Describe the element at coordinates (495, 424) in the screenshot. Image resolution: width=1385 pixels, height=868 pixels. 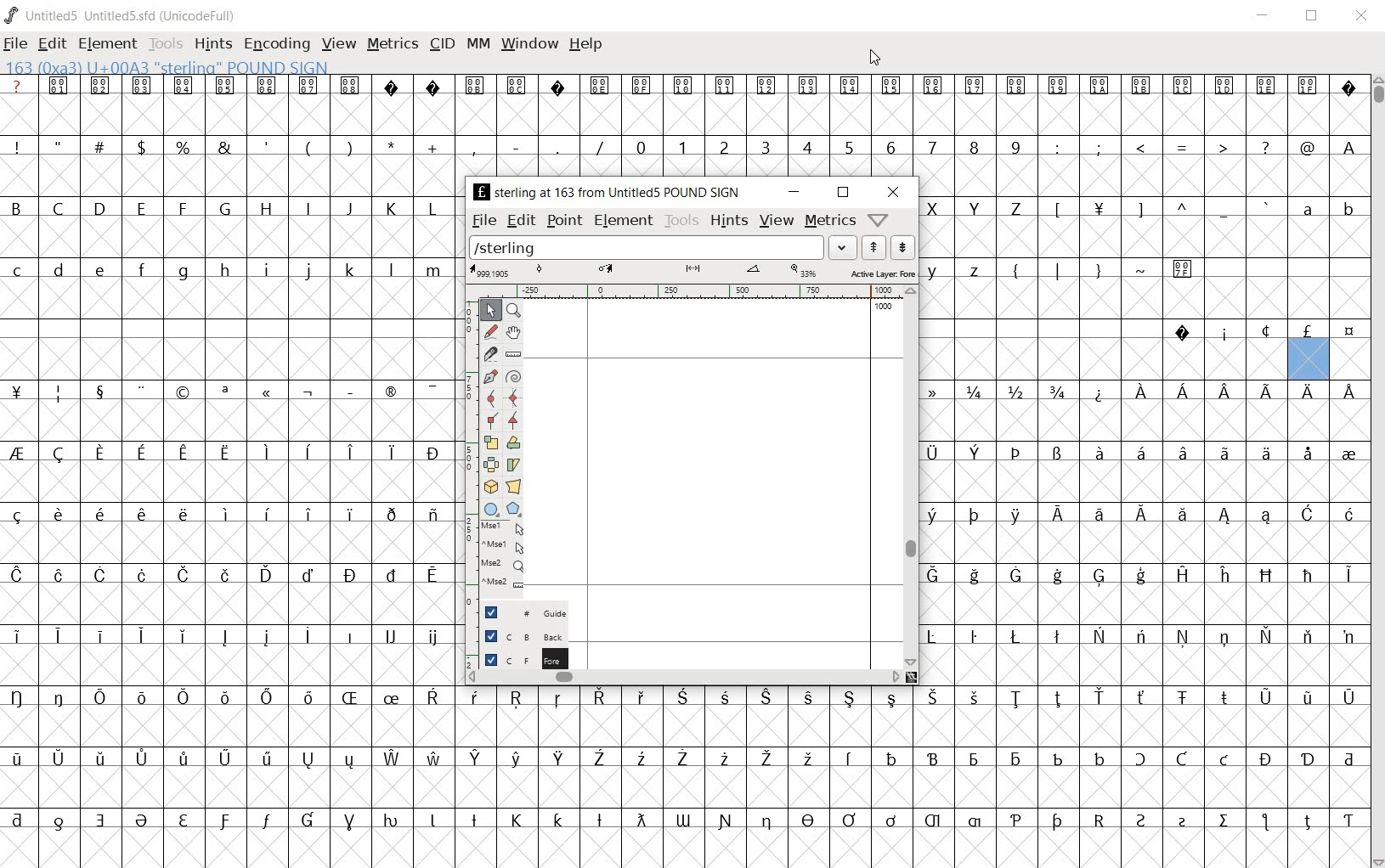
I see `Corner` at that location.